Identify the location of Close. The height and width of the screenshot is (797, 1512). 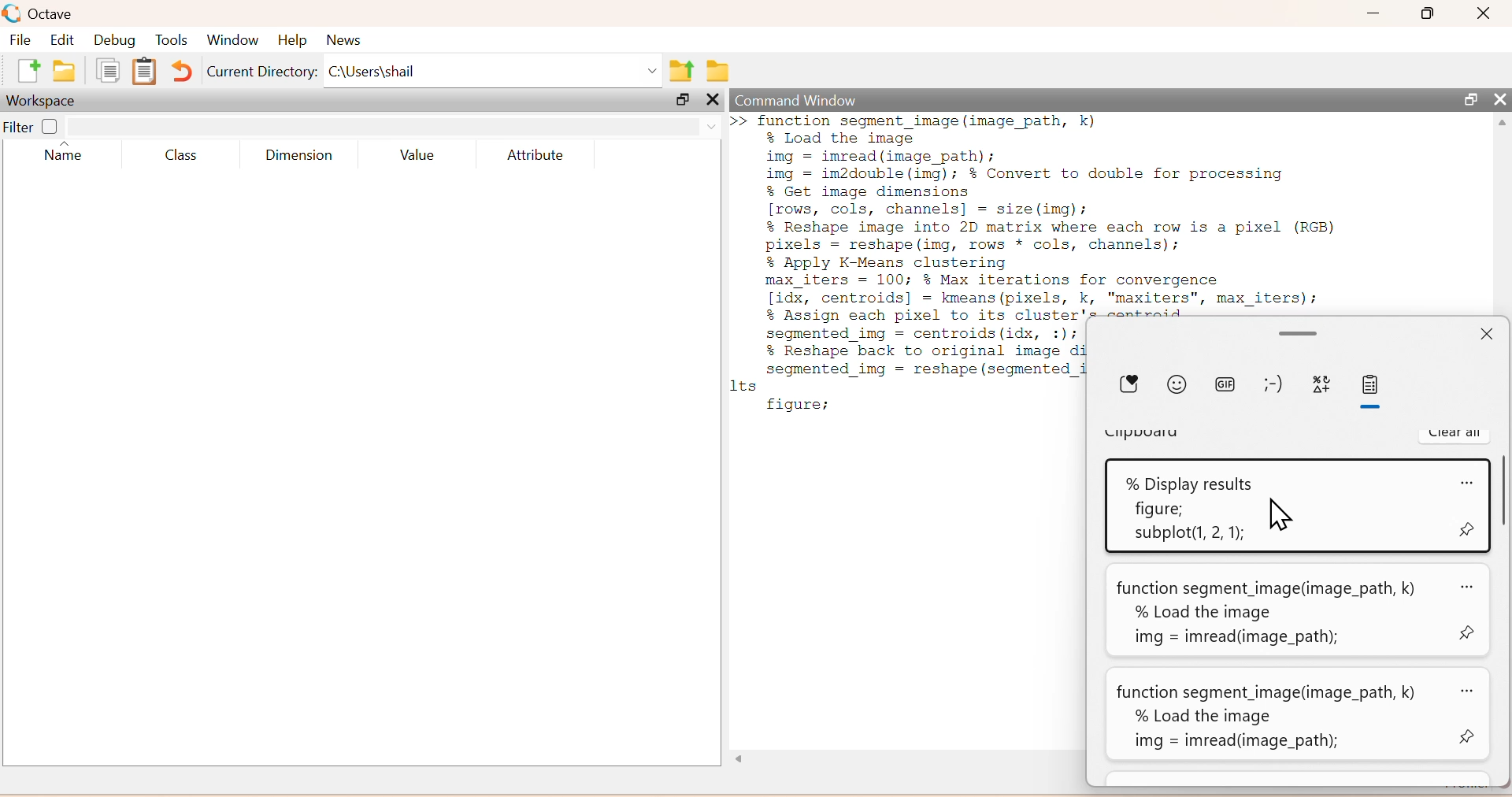
(1484, 332).